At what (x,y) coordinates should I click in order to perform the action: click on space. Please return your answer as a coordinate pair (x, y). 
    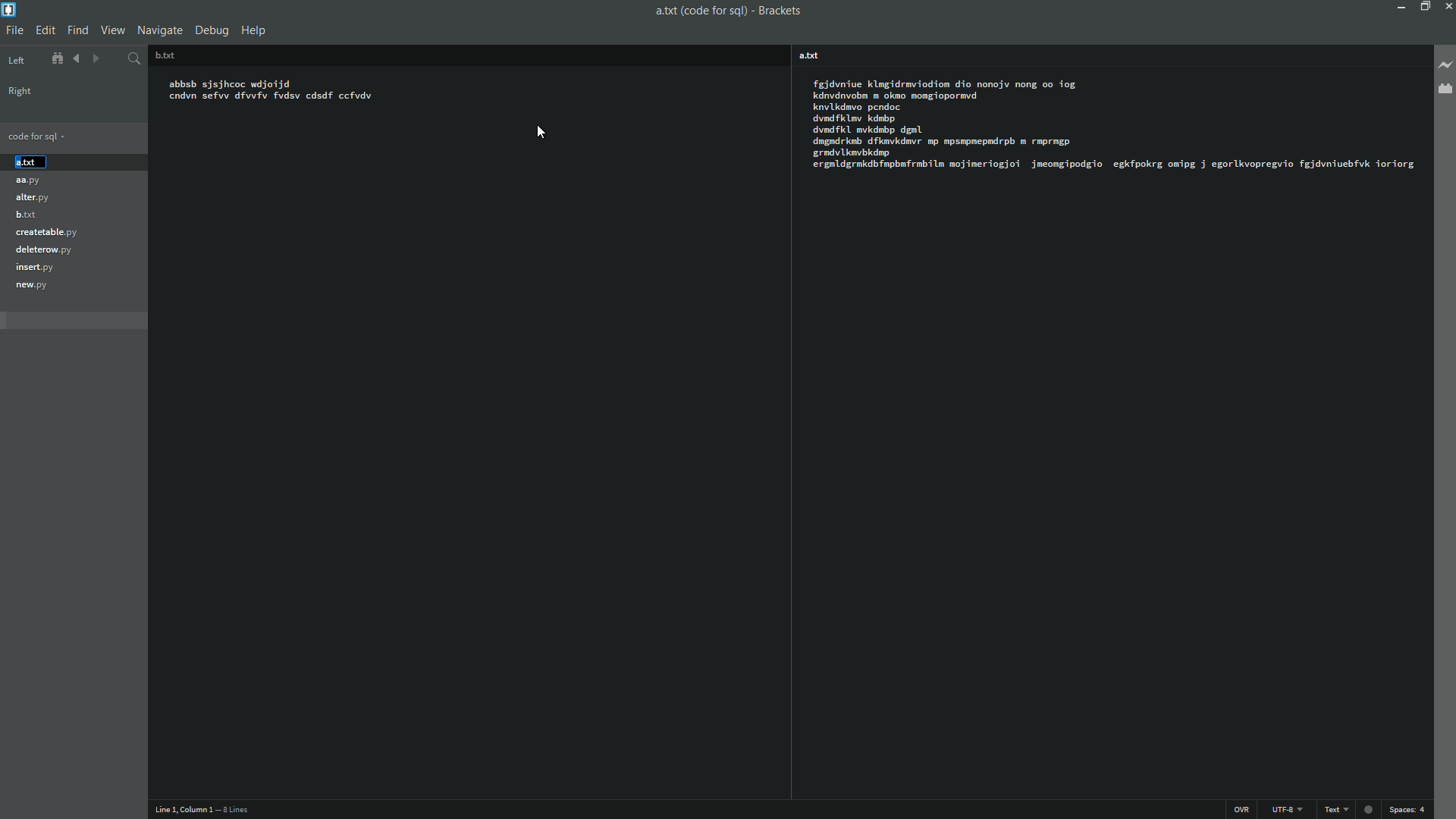
    Looking at the image, I should click on (1410, 808).